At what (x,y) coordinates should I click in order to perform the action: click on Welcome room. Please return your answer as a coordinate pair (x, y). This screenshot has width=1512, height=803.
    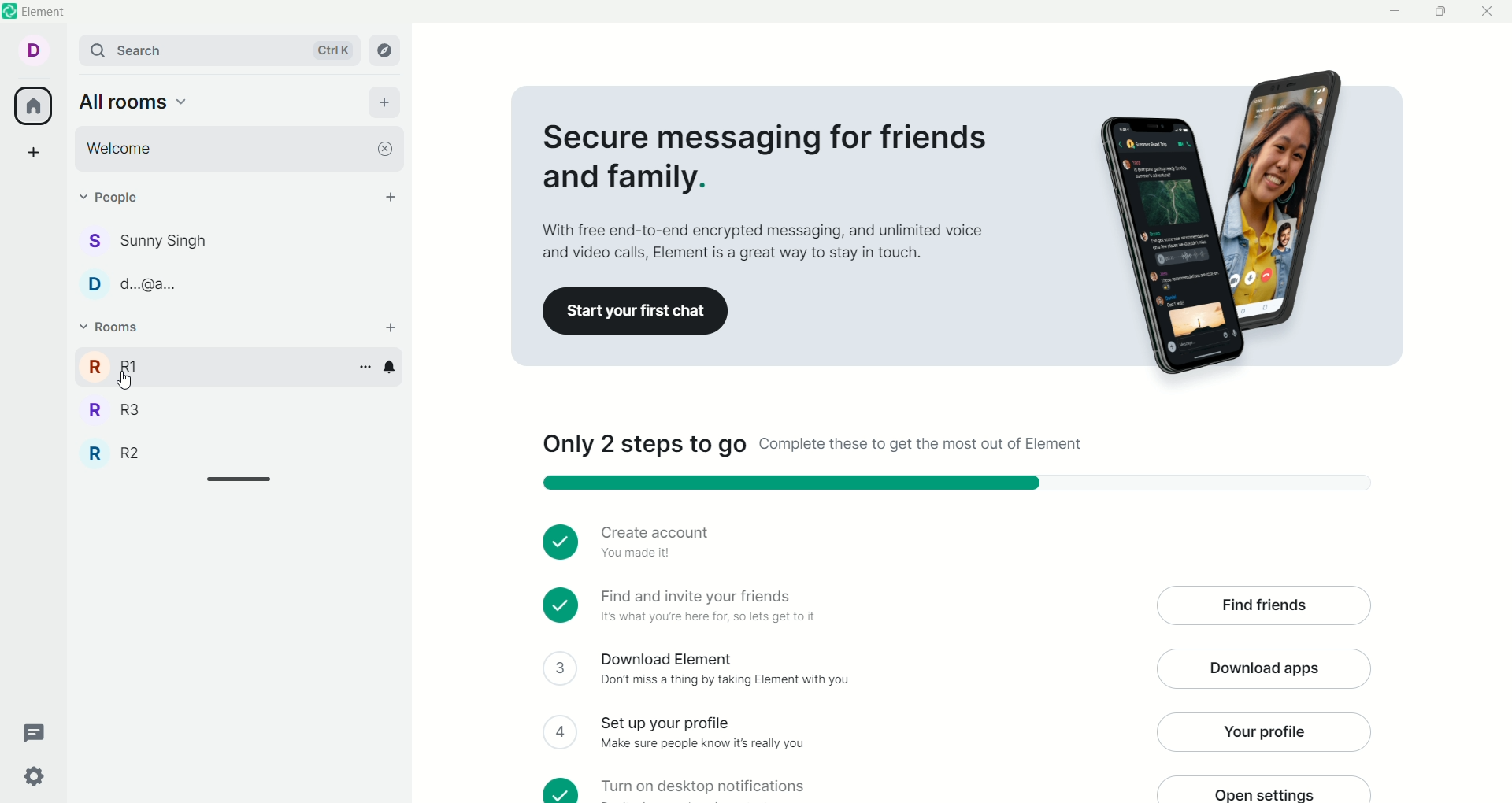
    Looking at the image, I should click on (224, 149).